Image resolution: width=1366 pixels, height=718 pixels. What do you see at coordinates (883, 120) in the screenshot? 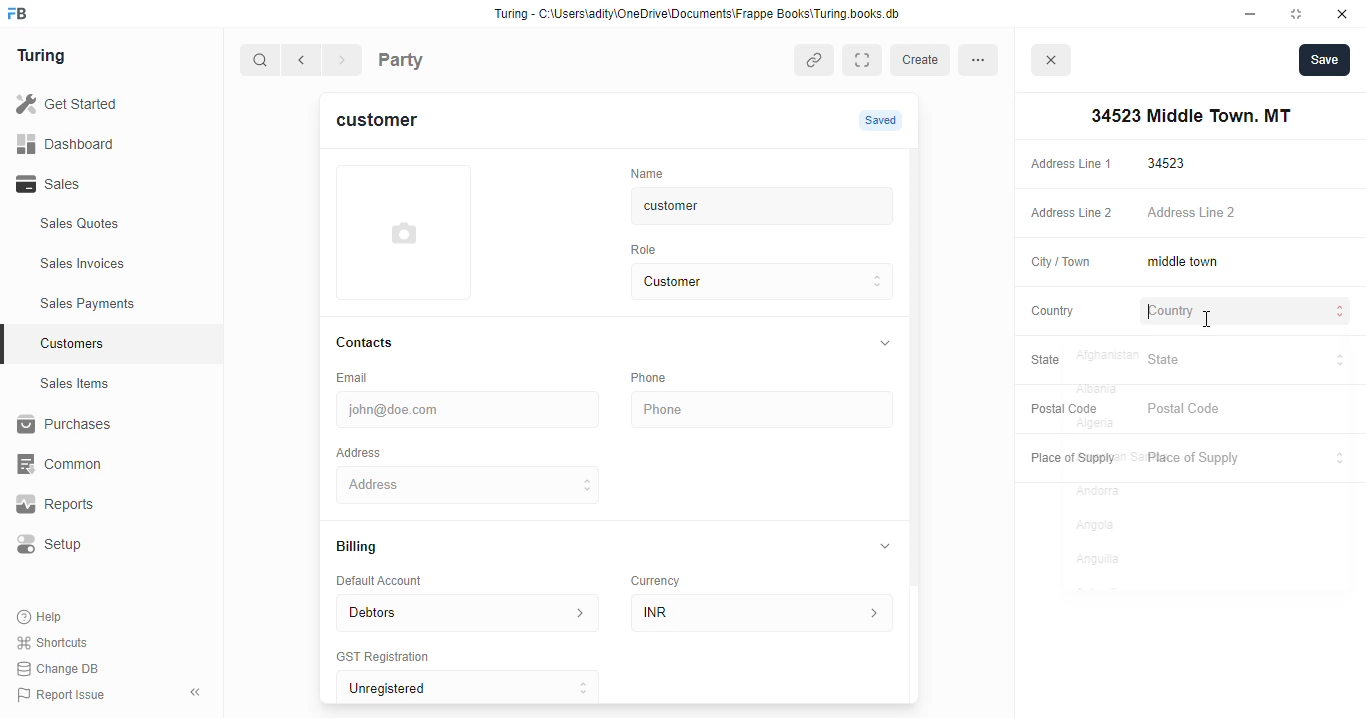
I see `Saved` at bounding box center [883, 120].